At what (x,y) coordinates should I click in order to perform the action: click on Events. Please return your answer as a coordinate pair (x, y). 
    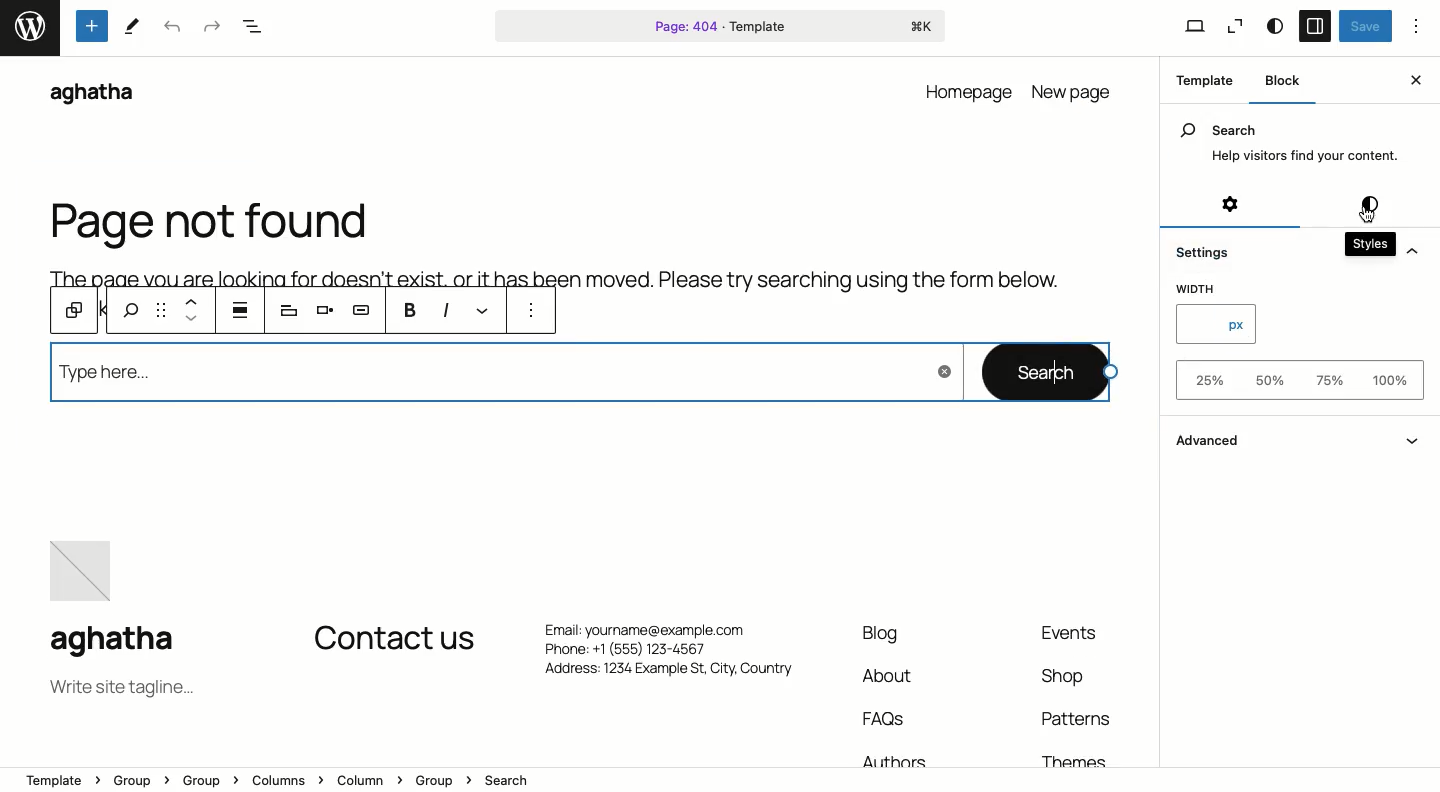
    Looking at the image, I should click on (1071, 634).